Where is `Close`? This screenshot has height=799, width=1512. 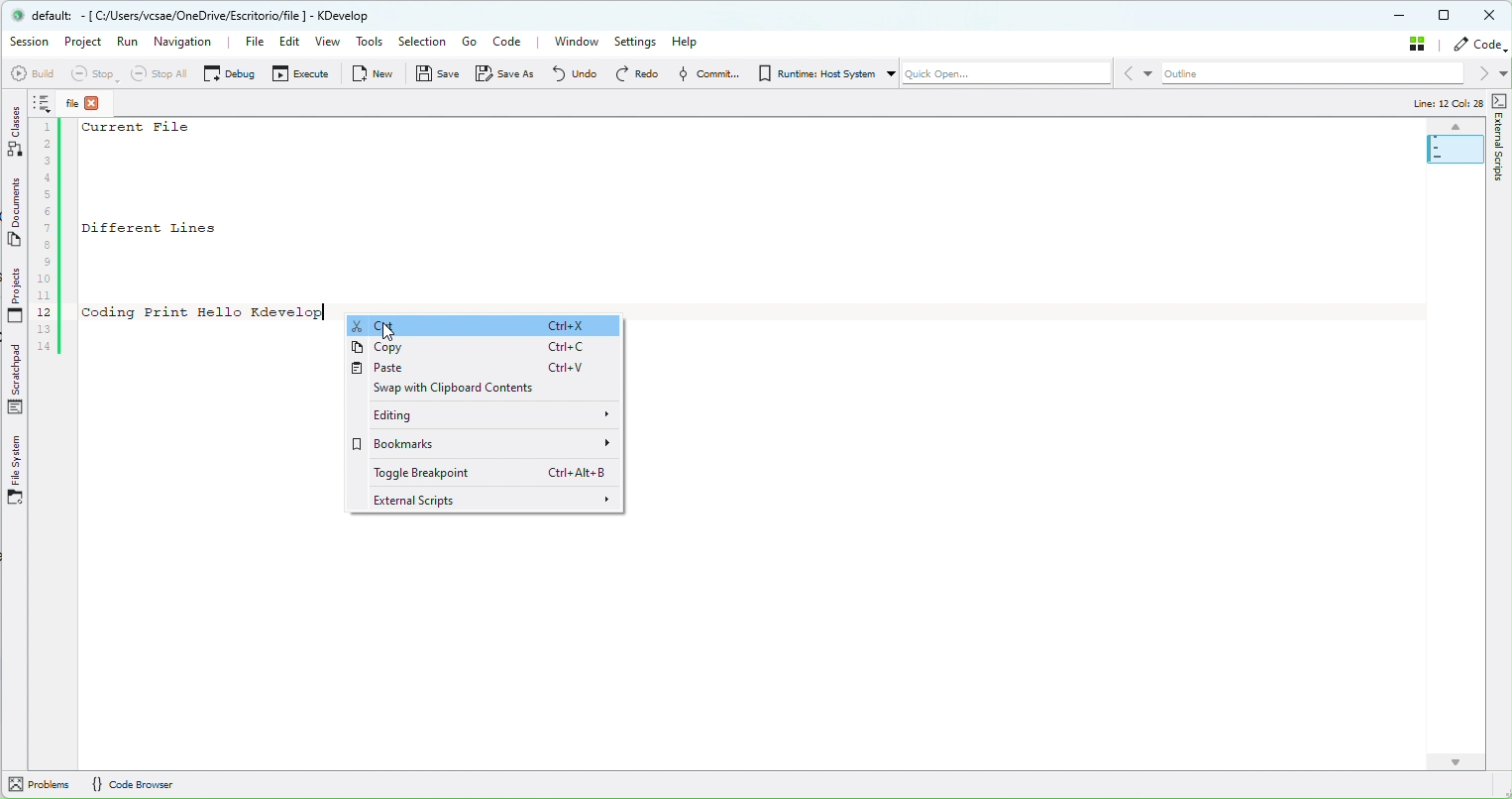 Close is located at coordinates (1491, 16).